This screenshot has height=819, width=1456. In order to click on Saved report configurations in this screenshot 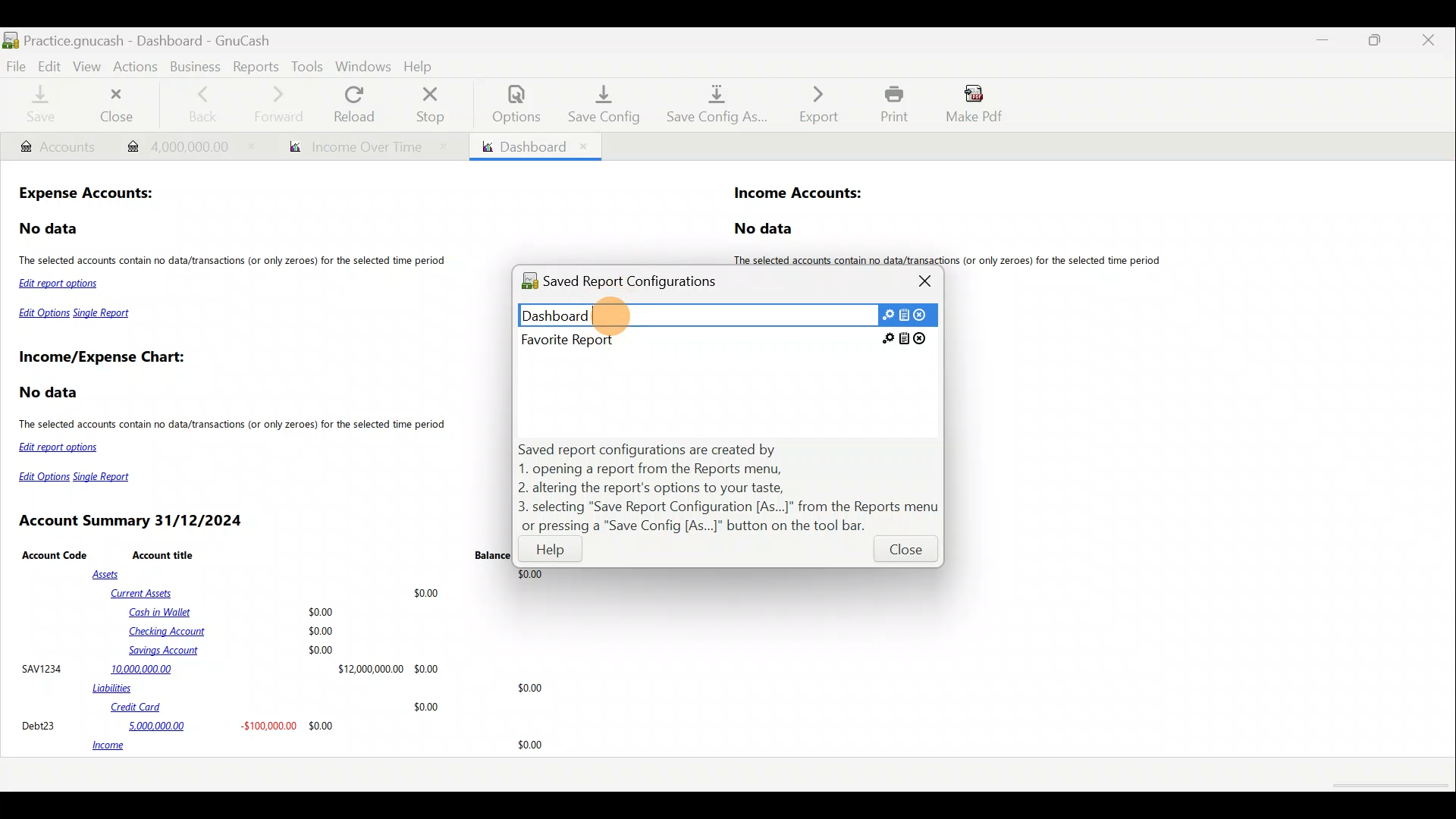, I will do `click(635, 284)`.